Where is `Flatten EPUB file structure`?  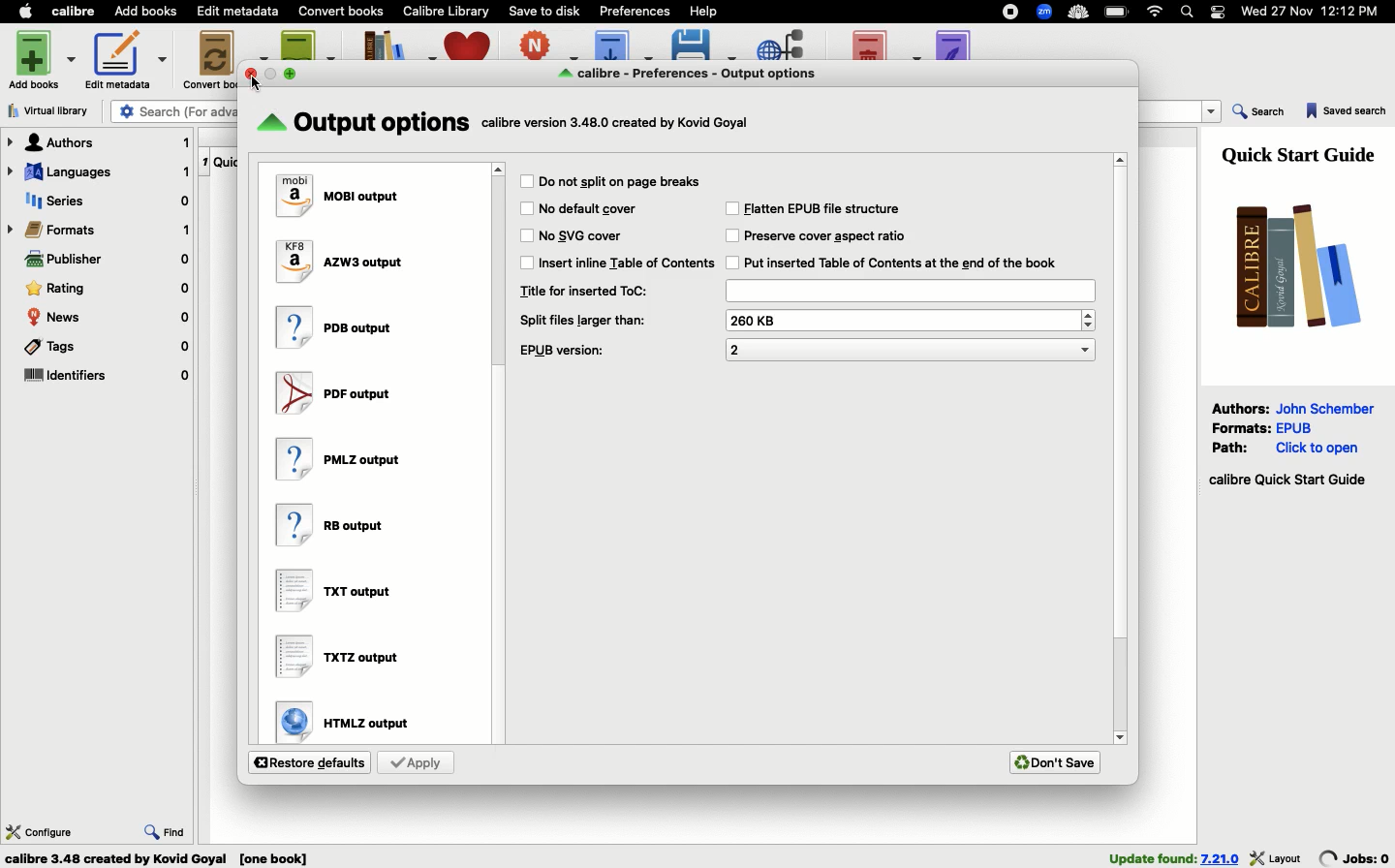
Flatten EPUB file structure is located at coordinates (829, 209).